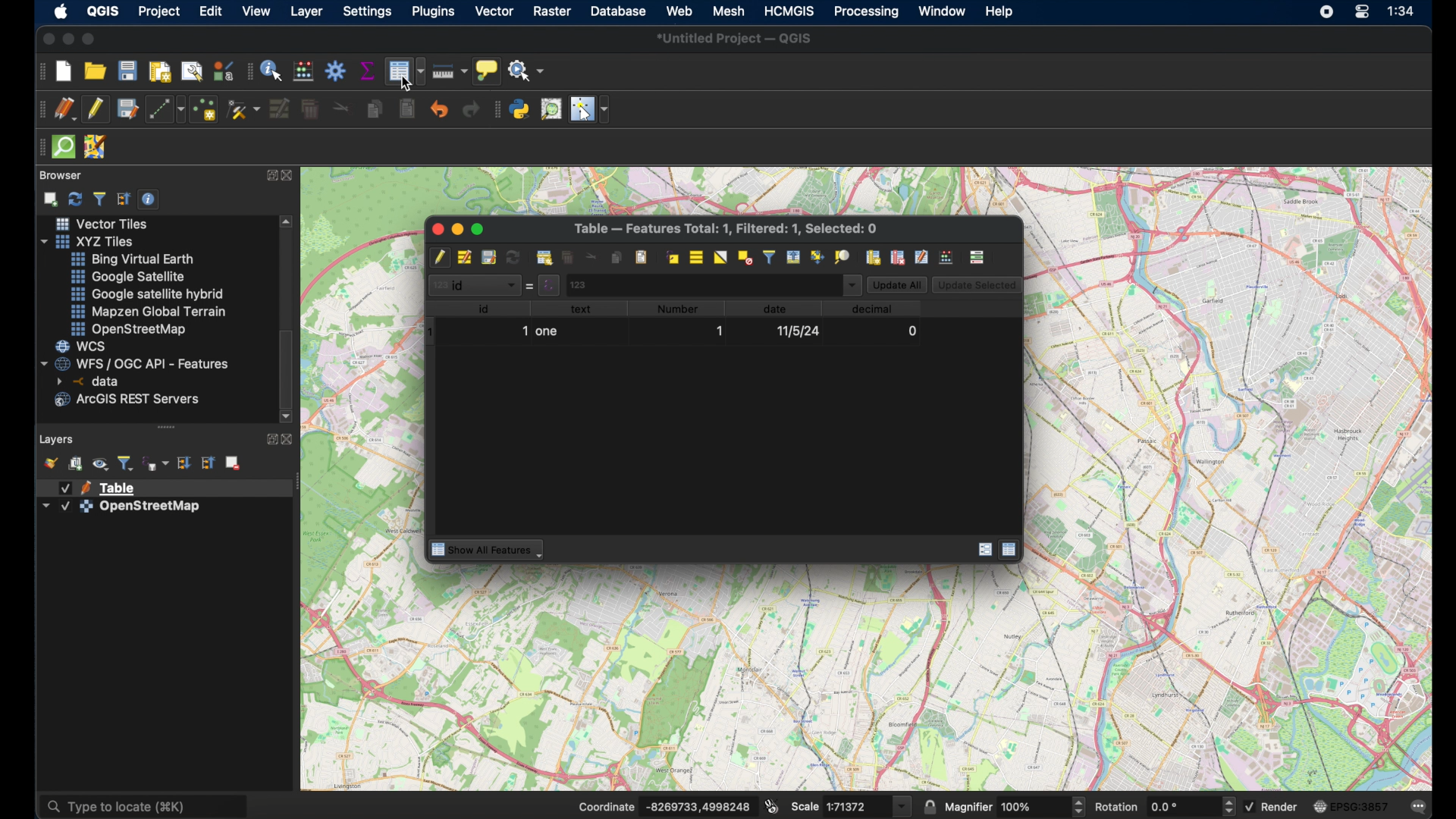  Describe the element at coordinates (101, 463) in the screenshot. I see `manage map theme` at that location.